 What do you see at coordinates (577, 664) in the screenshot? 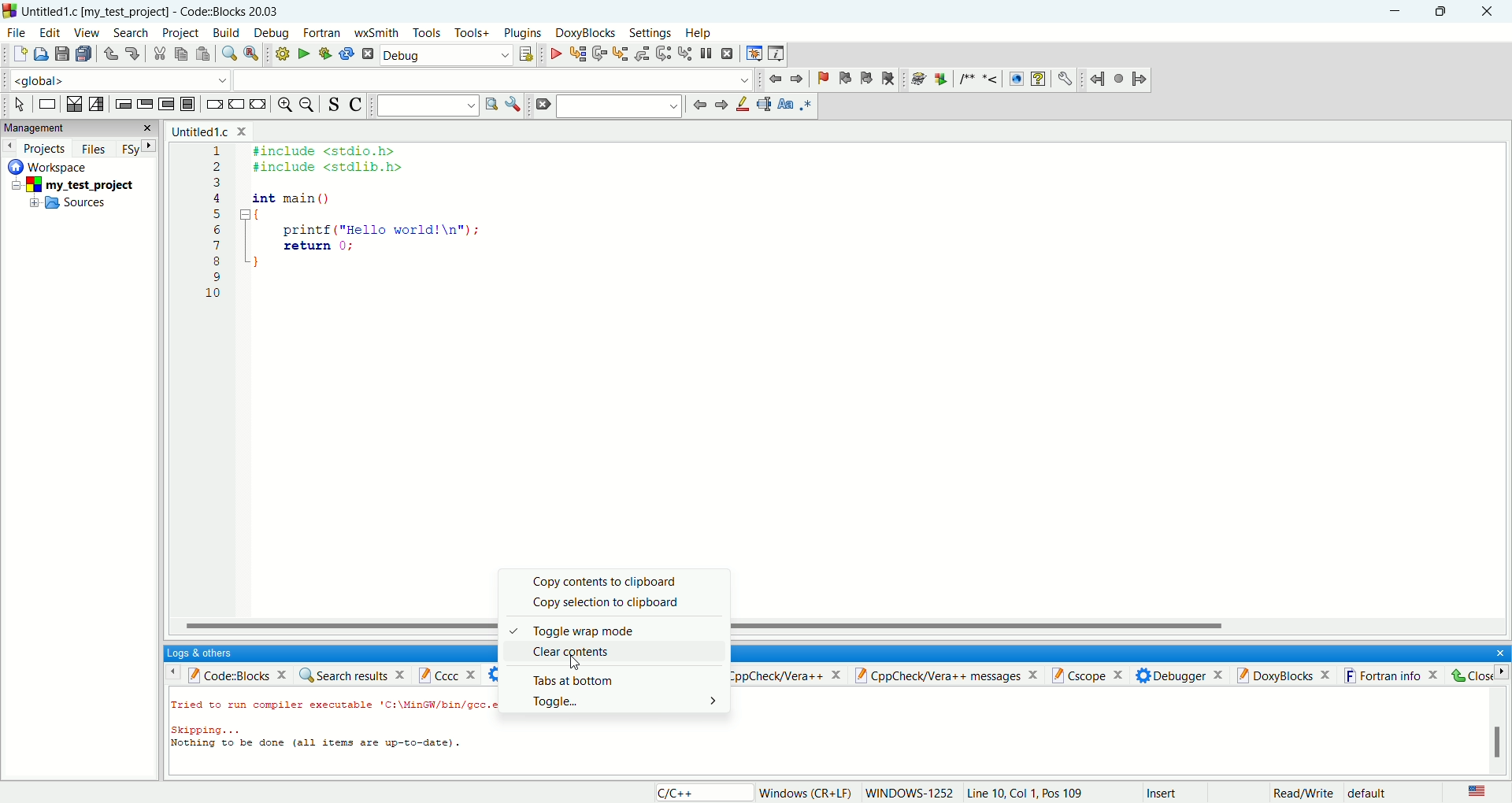
I see `Cursor` at bounding box center [577, 664].